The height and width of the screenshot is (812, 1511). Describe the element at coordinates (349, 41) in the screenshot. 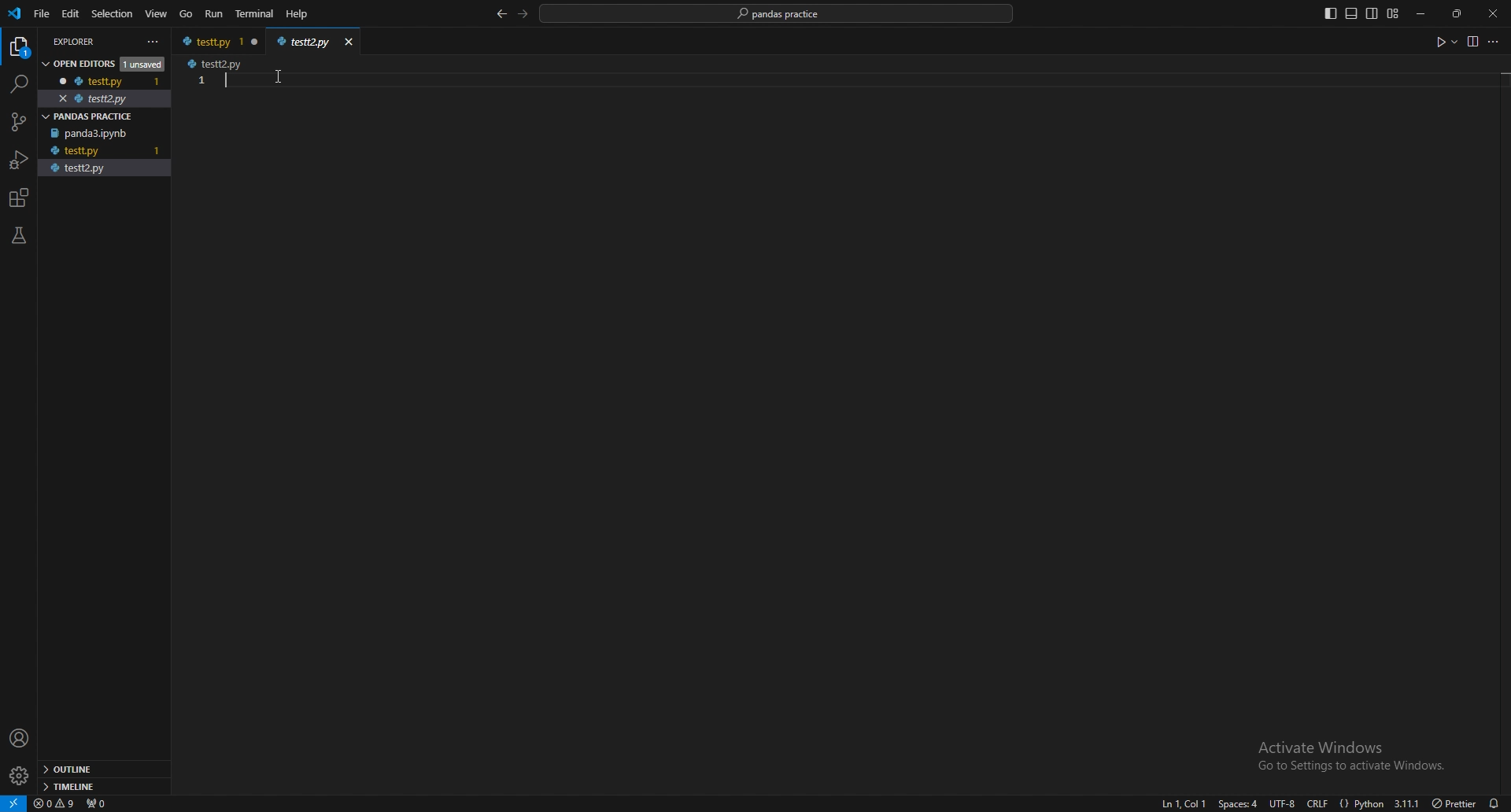

I see `close window` at that location.